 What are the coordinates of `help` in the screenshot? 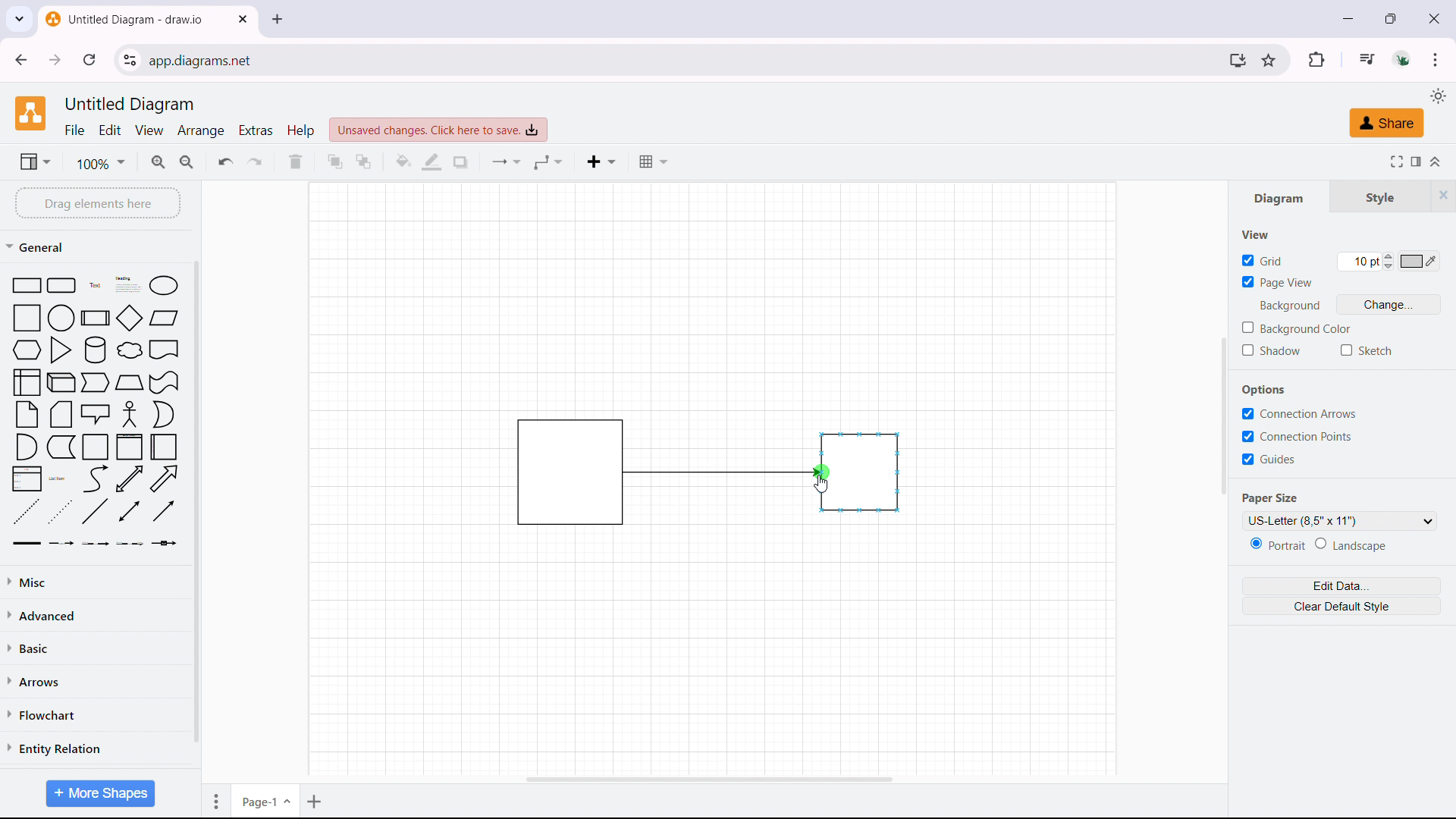 It's located at (300, 130).